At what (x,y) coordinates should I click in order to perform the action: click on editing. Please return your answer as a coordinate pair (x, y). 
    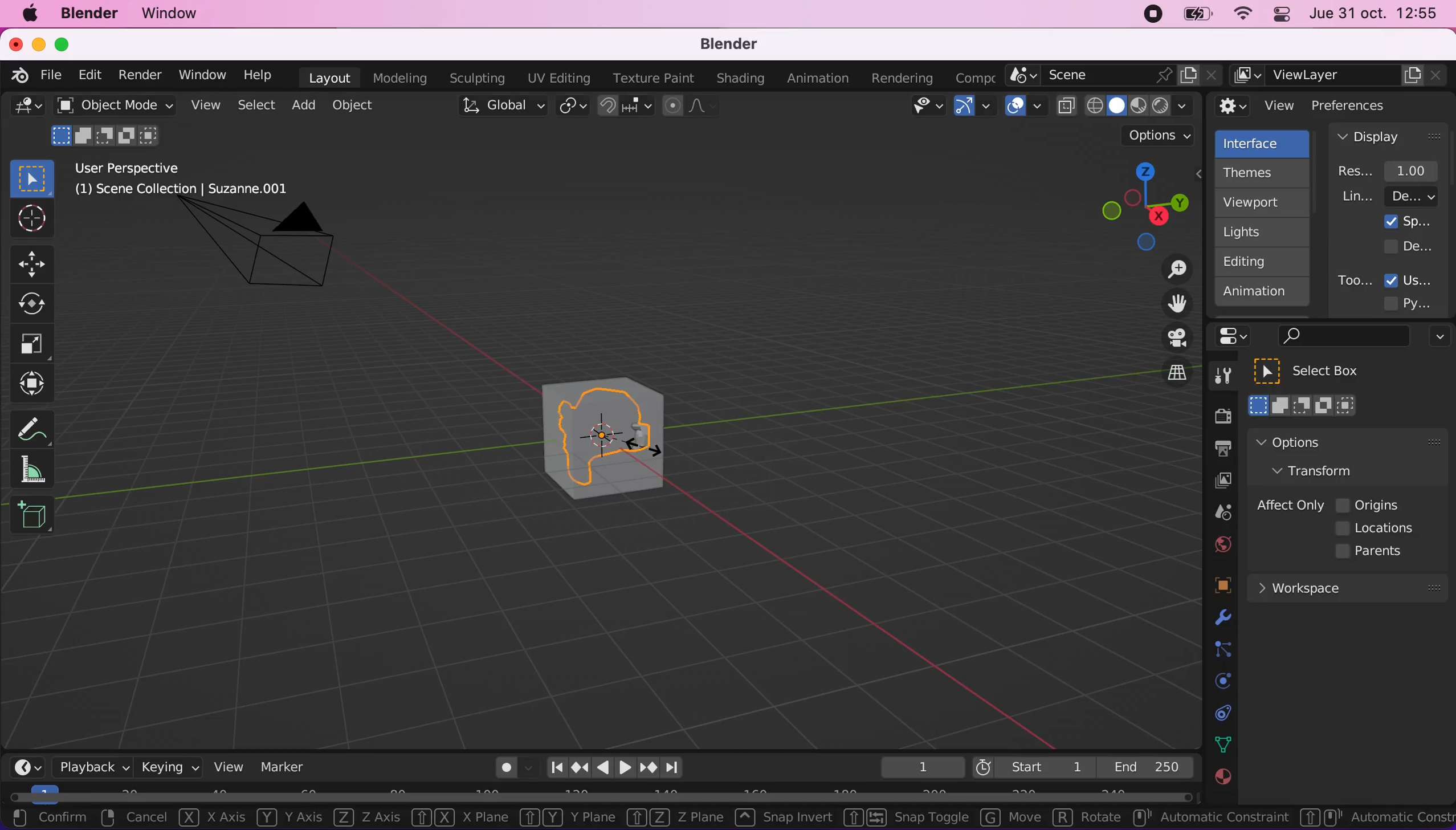
    Looking at the image, I should click on (1257, 261).